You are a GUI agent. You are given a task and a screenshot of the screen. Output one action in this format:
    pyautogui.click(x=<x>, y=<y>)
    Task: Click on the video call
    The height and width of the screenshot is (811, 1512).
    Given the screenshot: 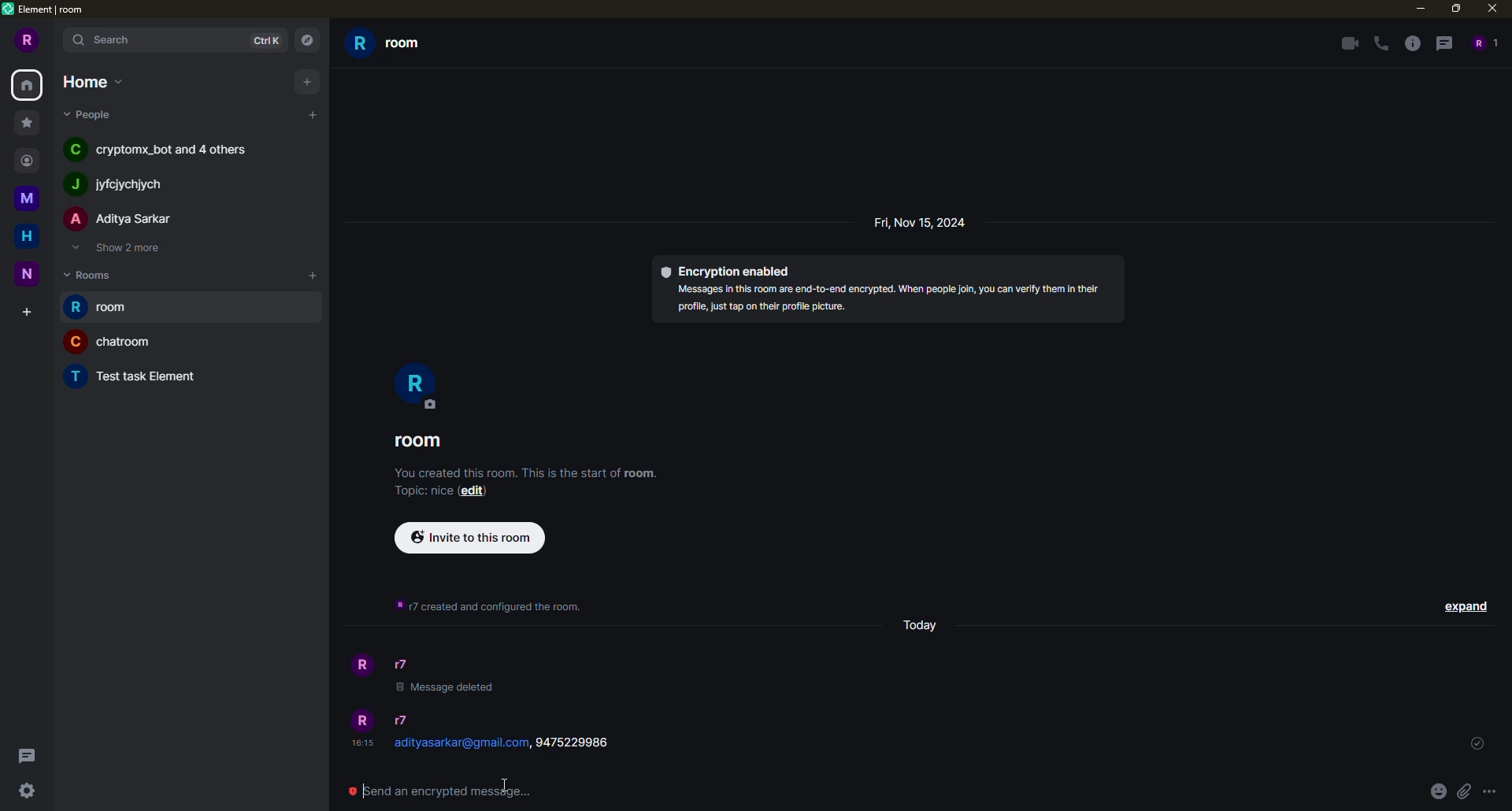 What is the action you would take?
    pyautogui.click(x=1343, y=42)
    